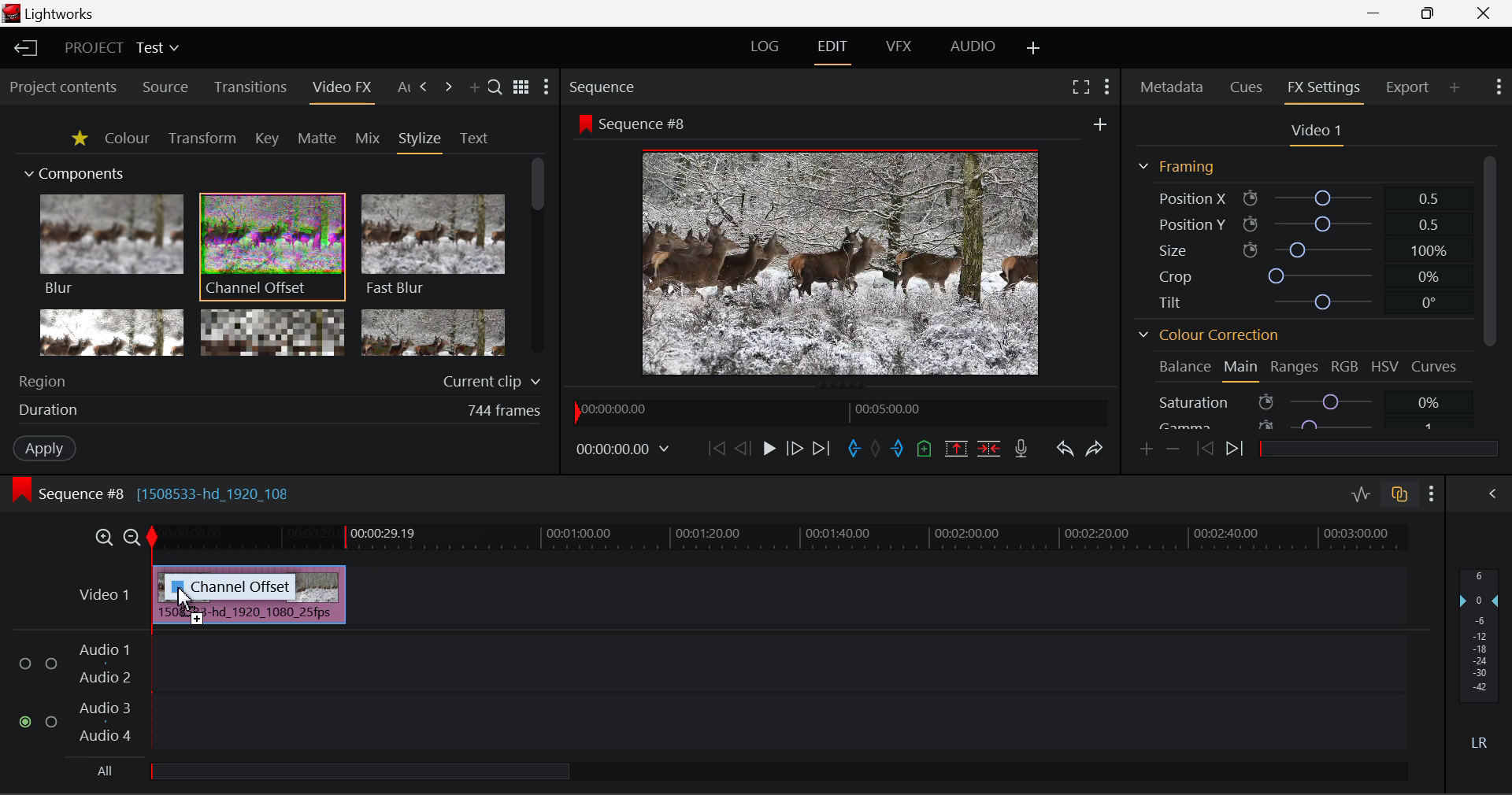 The height and width of the screenshot is (795, 1512). I want to click on Video Layer, so click(106, 598).